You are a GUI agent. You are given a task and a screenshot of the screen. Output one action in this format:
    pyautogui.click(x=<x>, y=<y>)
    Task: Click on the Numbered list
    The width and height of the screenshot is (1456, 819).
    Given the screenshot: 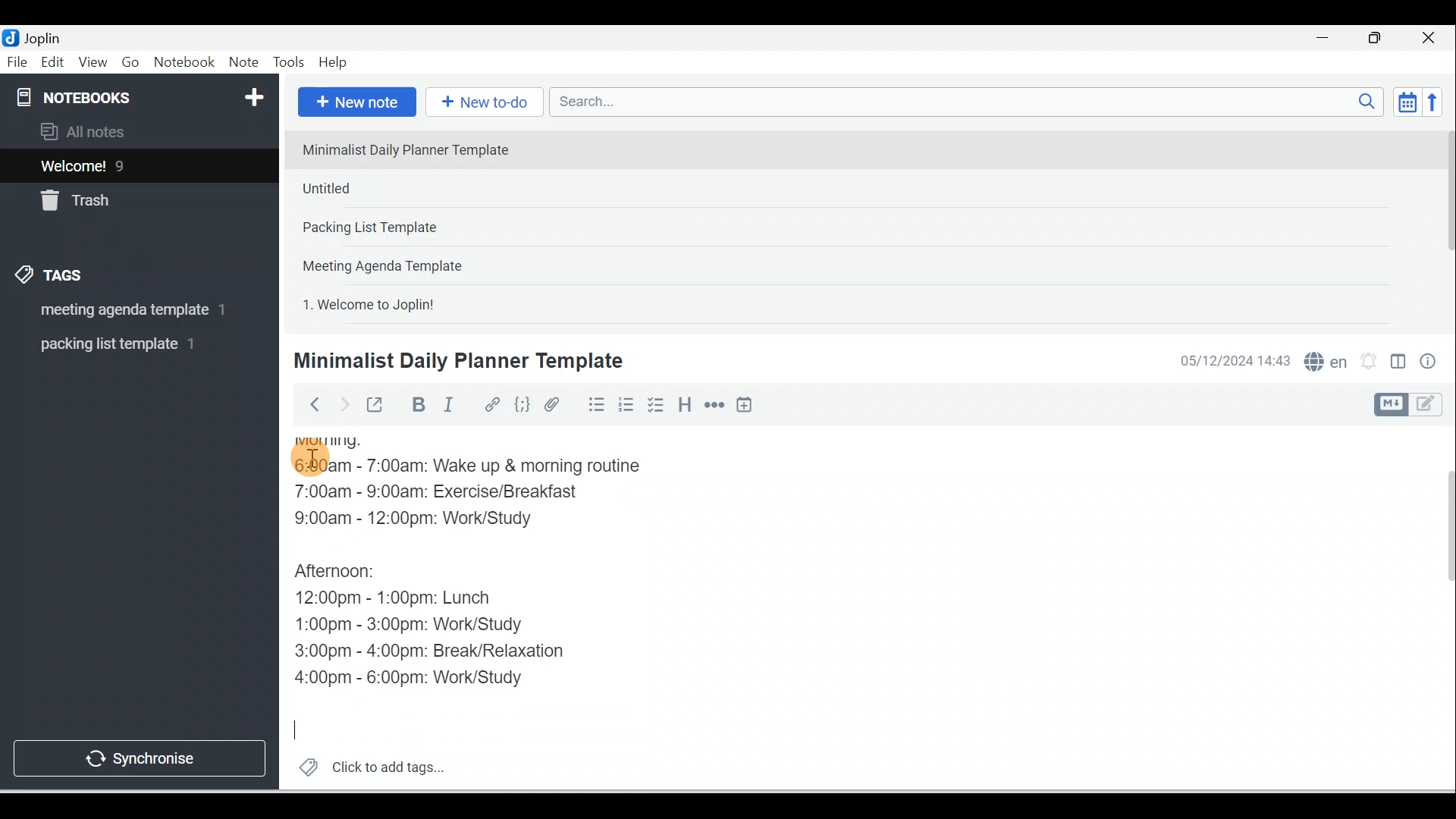 What is the action you would take?
    pyautogui.click(x=626, y=404)
    